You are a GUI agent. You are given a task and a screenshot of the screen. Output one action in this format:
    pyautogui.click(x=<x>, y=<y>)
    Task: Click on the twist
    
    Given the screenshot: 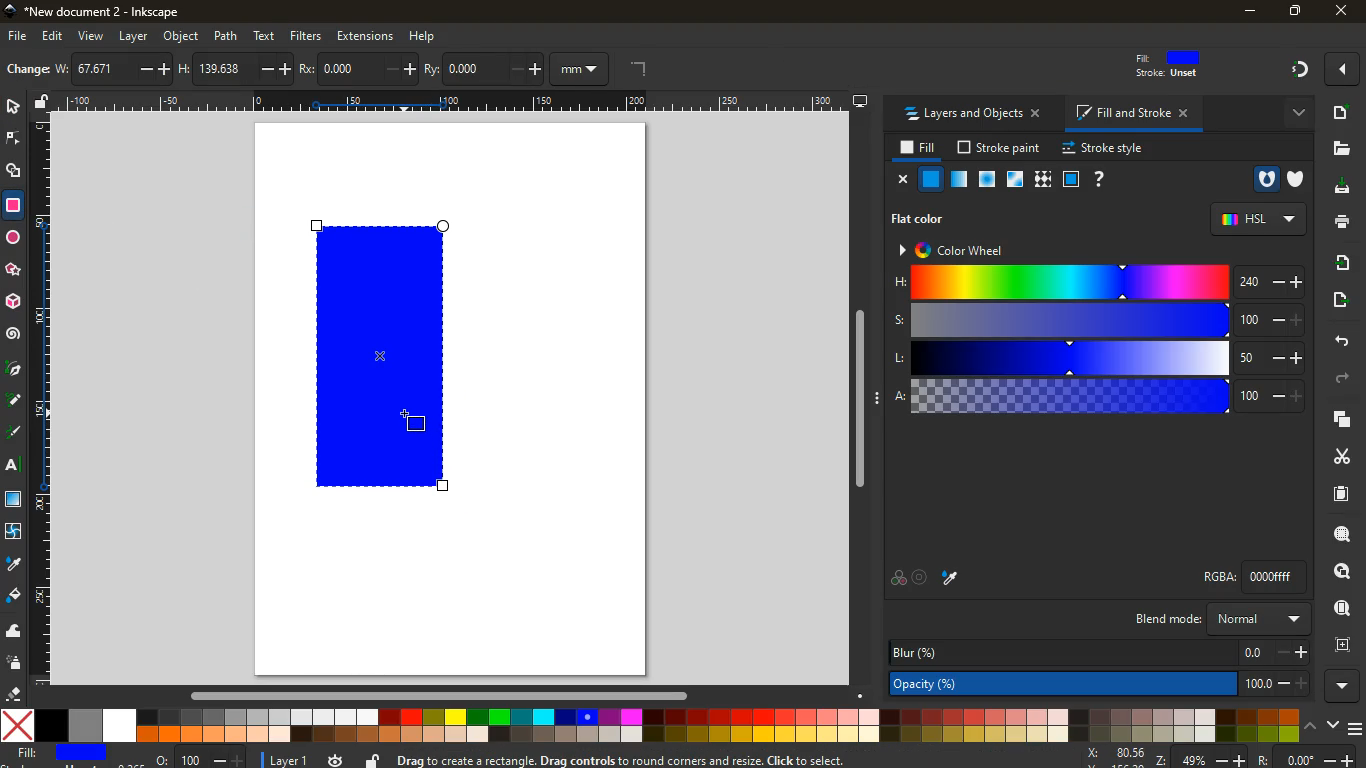 What is the action you would take?
    pyautogui.click(x=15, y=533)
    